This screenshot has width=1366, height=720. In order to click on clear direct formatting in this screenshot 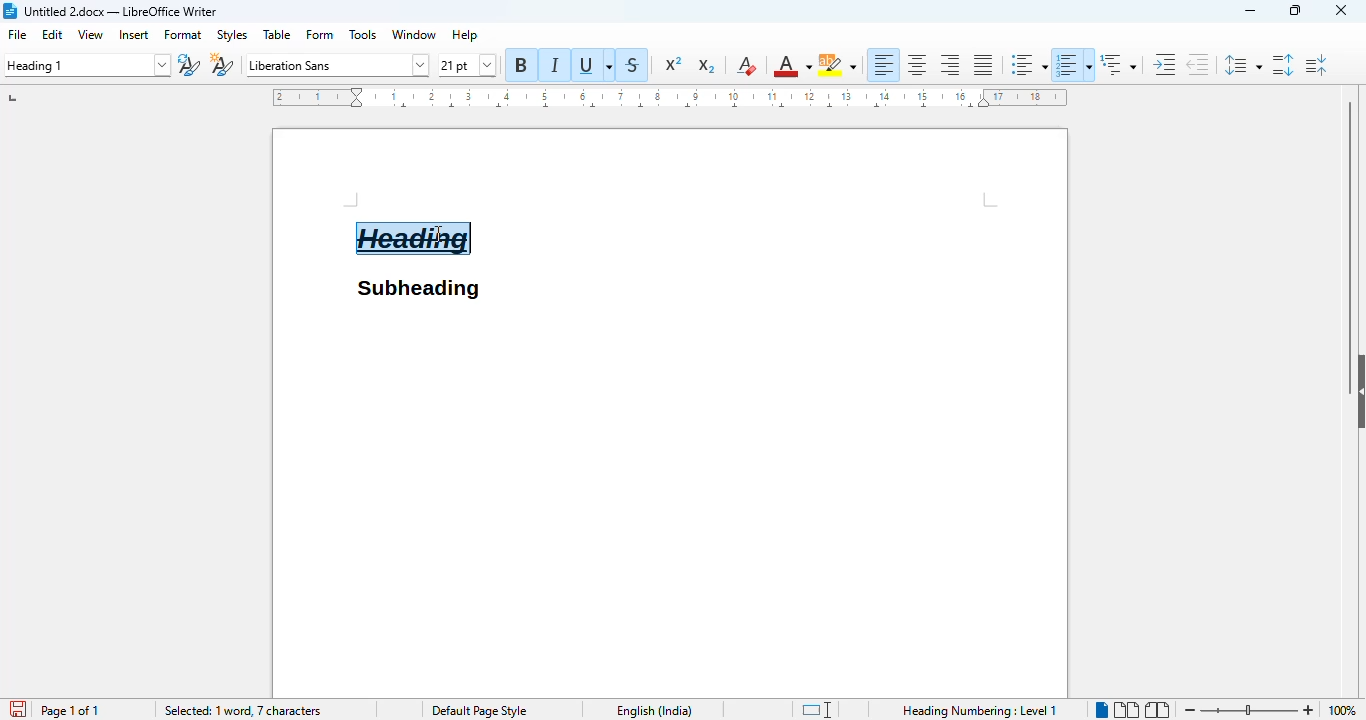, I will do `click(745, 65)`.